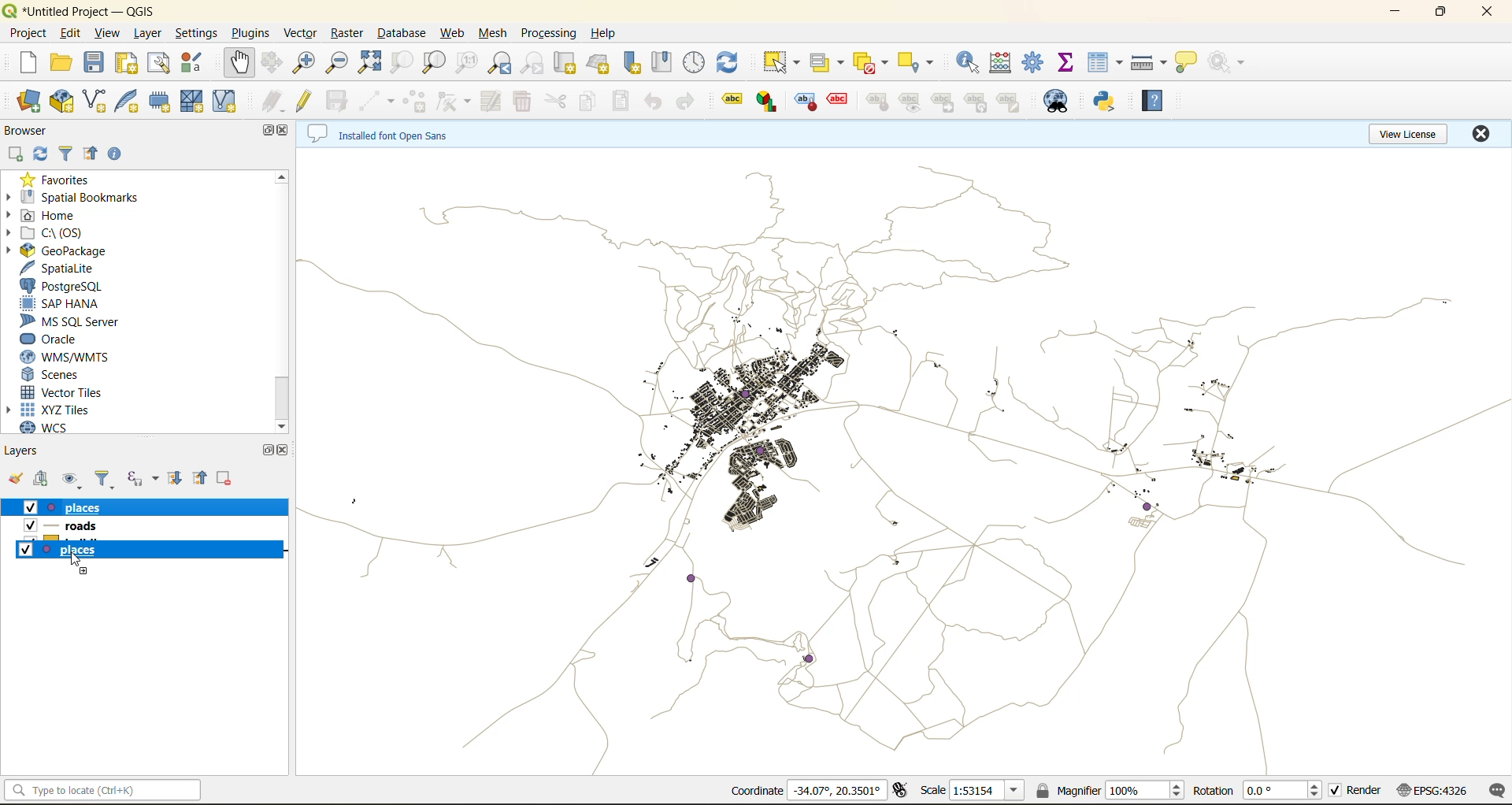 The width and height of the screenshot is (1512, 805). I want to click on metadata, so click(393, 132).